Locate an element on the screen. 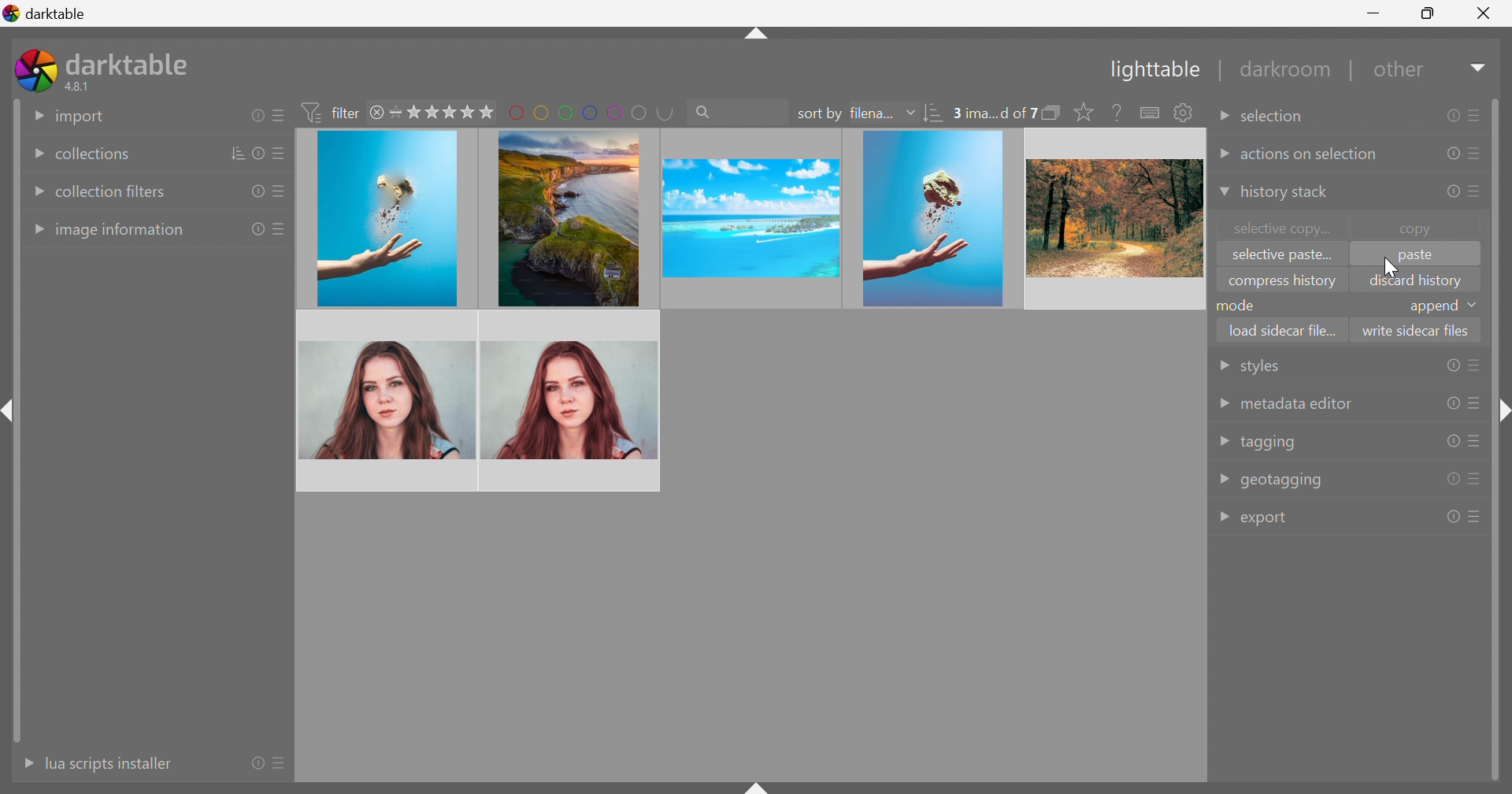  image is located at coordinates (571, 399).